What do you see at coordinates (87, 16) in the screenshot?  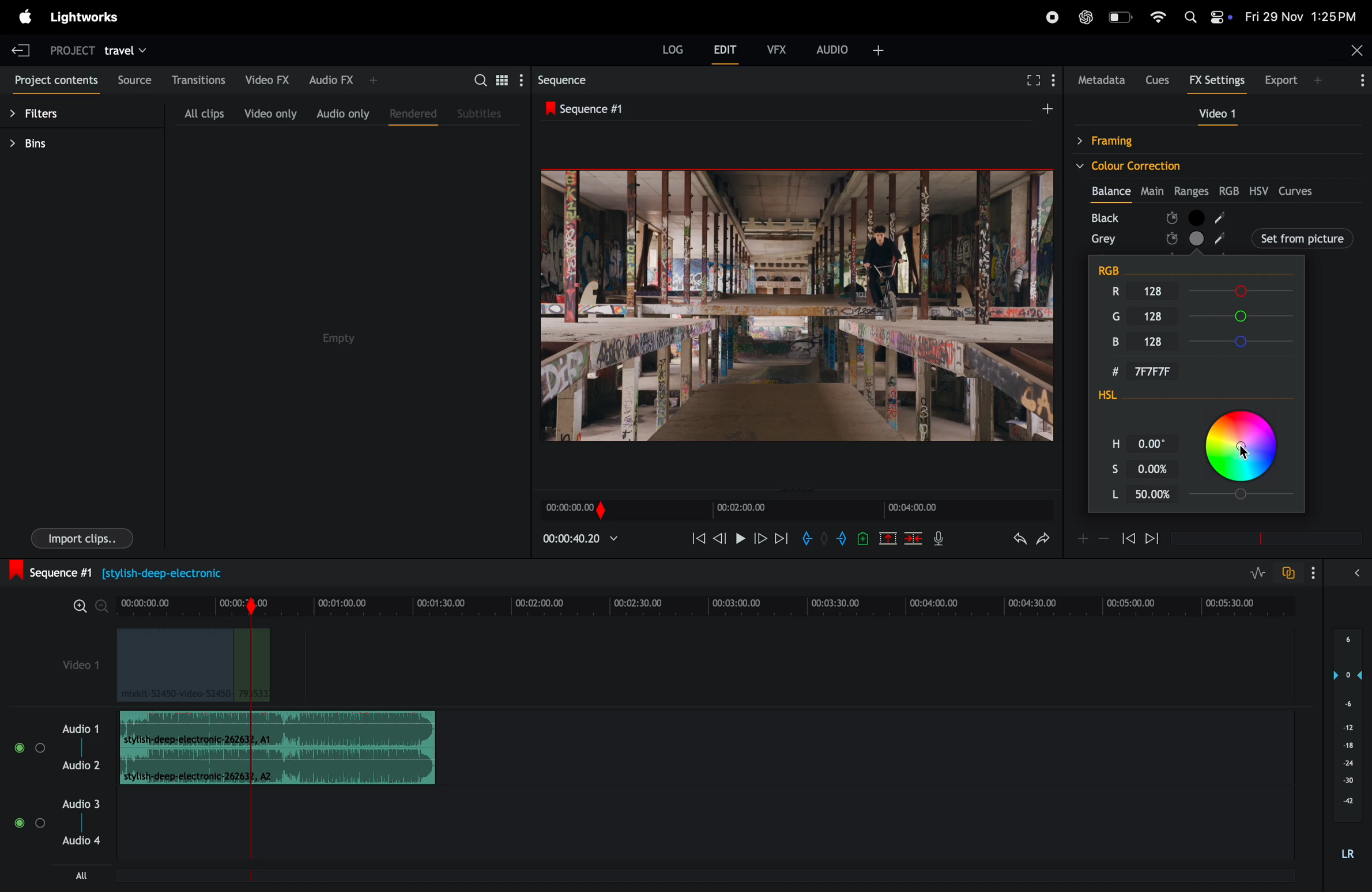 I see `light works menu` at bounding box center [87, 16].